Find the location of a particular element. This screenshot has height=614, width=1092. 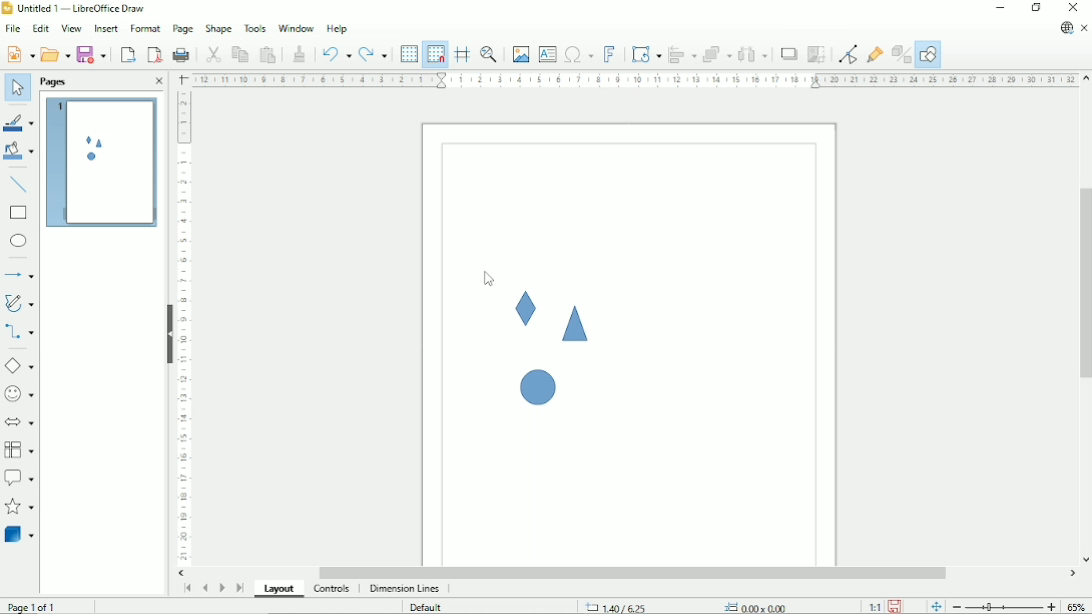

Shape is located at coordinates (534, 384).